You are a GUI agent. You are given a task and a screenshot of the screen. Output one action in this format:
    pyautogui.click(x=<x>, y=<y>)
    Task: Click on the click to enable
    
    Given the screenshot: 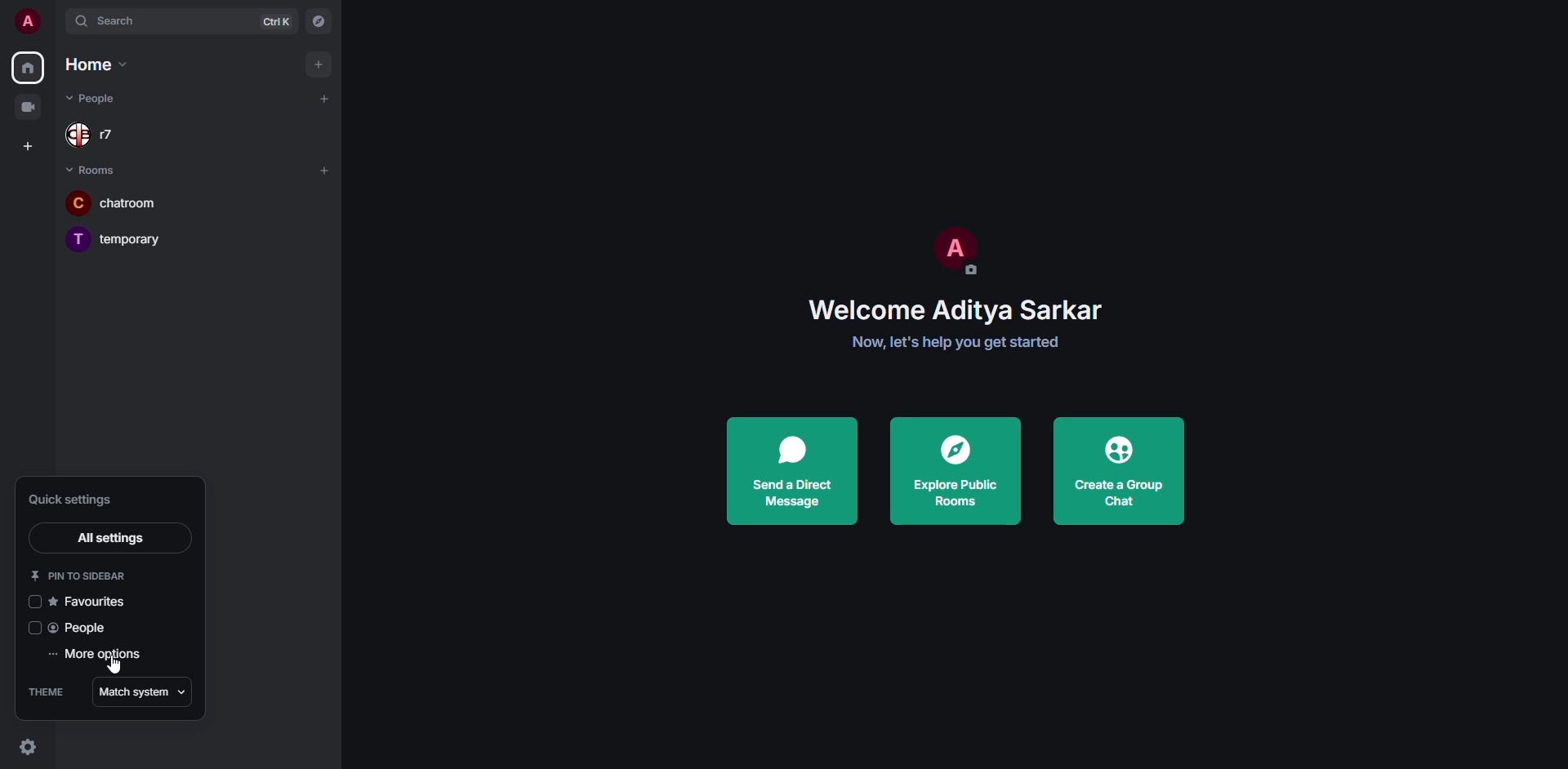 What is the action you would take?
    pyautogui.click(x=35, y=627)
    